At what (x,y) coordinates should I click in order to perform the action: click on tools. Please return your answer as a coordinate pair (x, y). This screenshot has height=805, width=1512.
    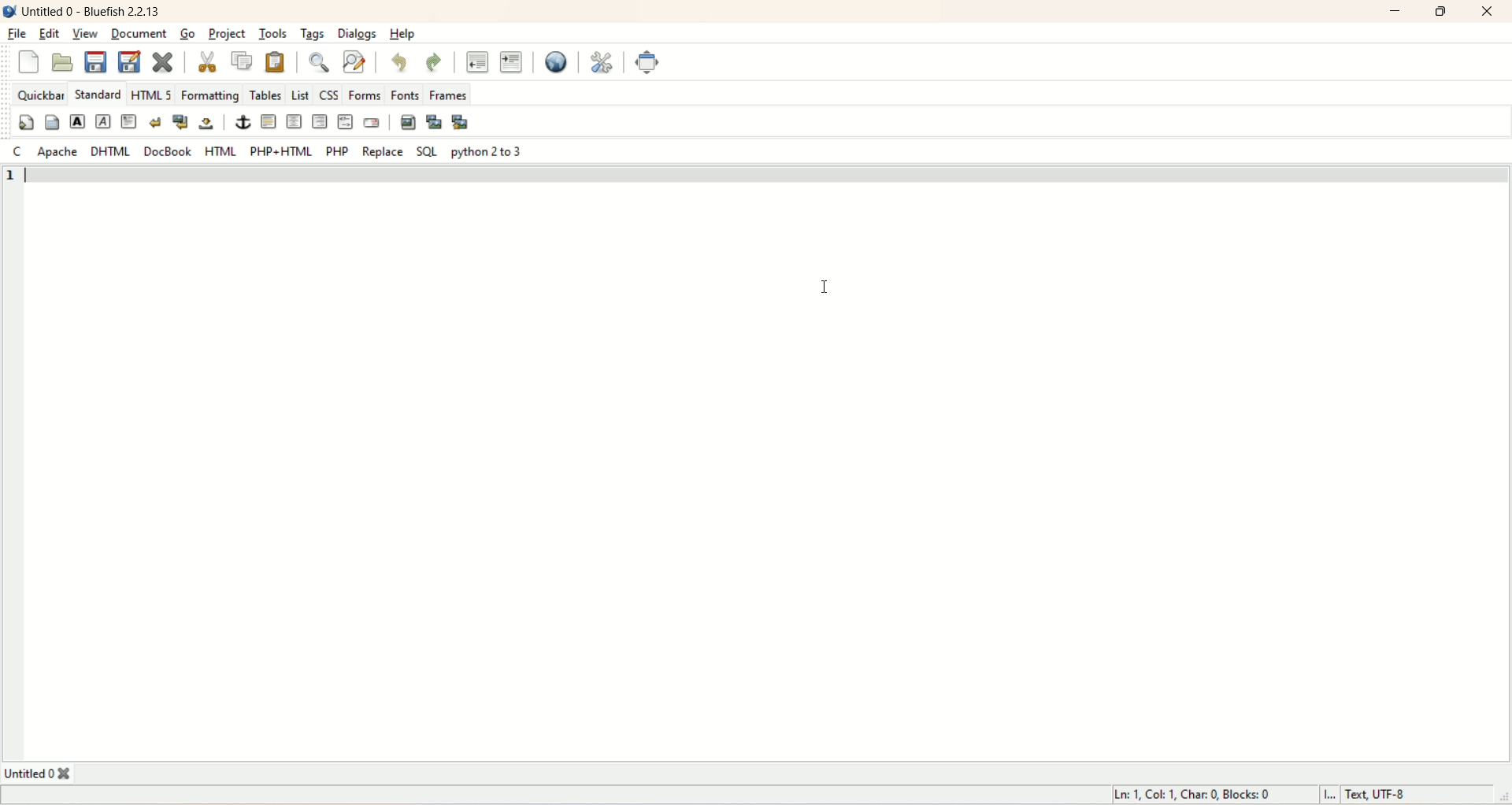
    Looking at the image, I should click on (272, 34).